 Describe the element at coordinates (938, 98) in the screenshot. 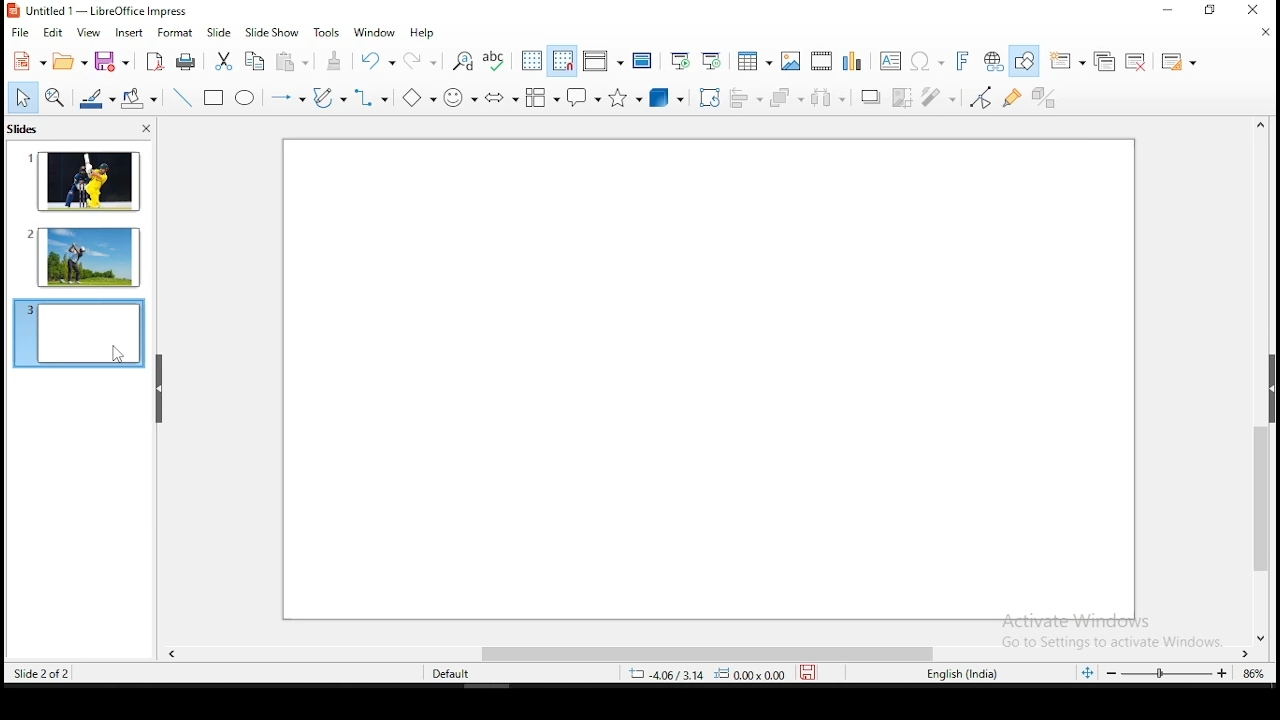

I see `filter` at that location.